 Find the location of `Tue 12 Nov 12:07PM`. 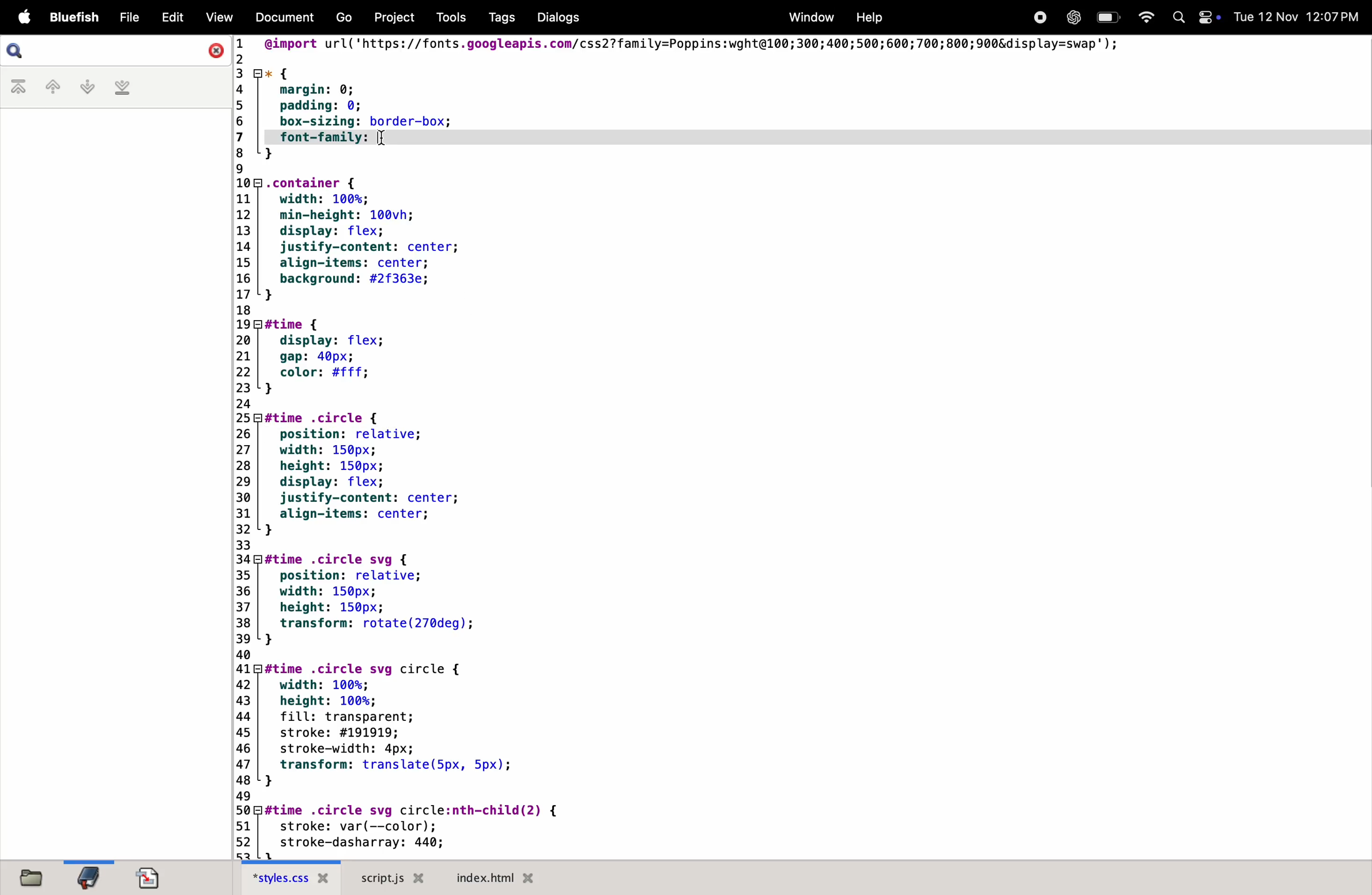

Tue 12 Nov 12:07PM is located at coordinates (1298, 17).